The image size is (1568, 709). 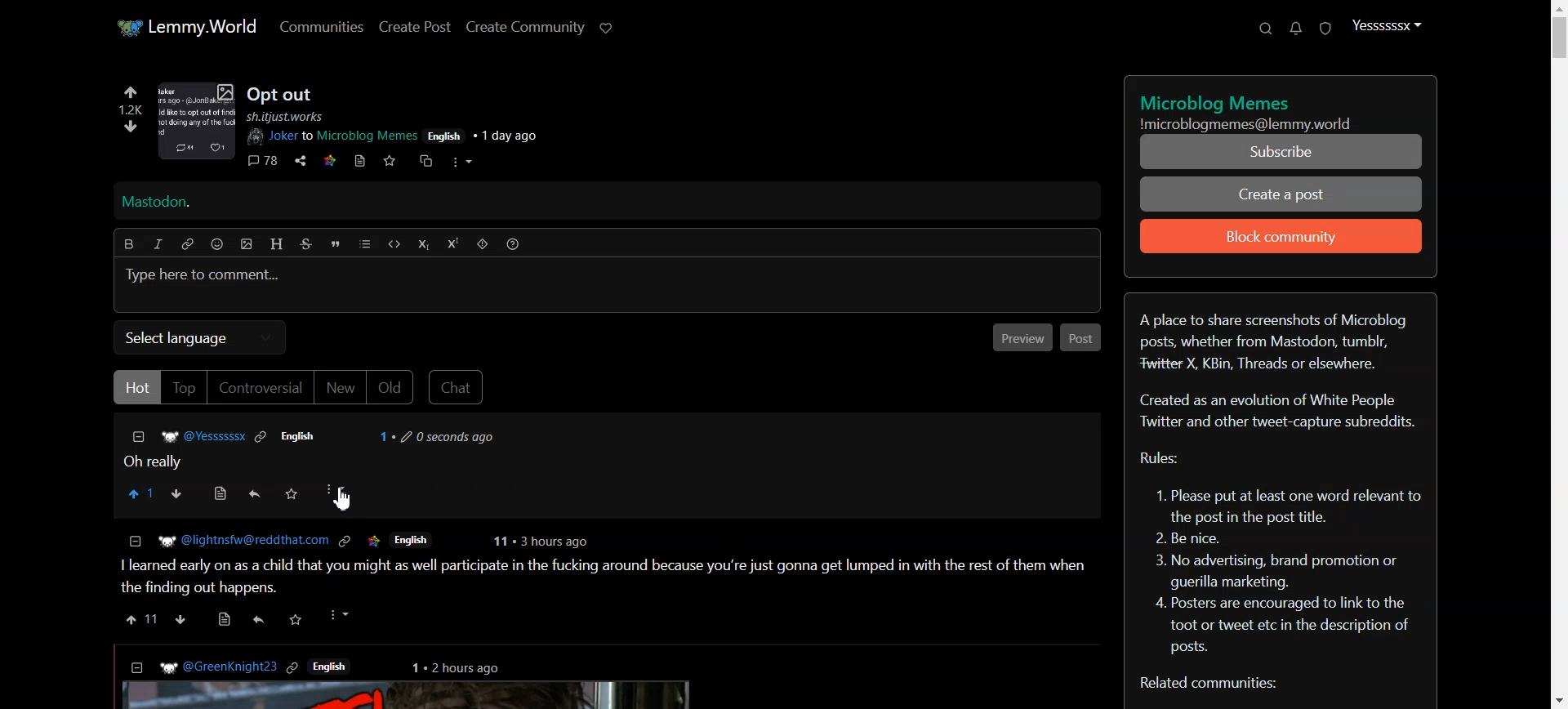 What do you see at coordinates (334, 493) in the screenshot?
I see `More` at bounding box center [334, 493].